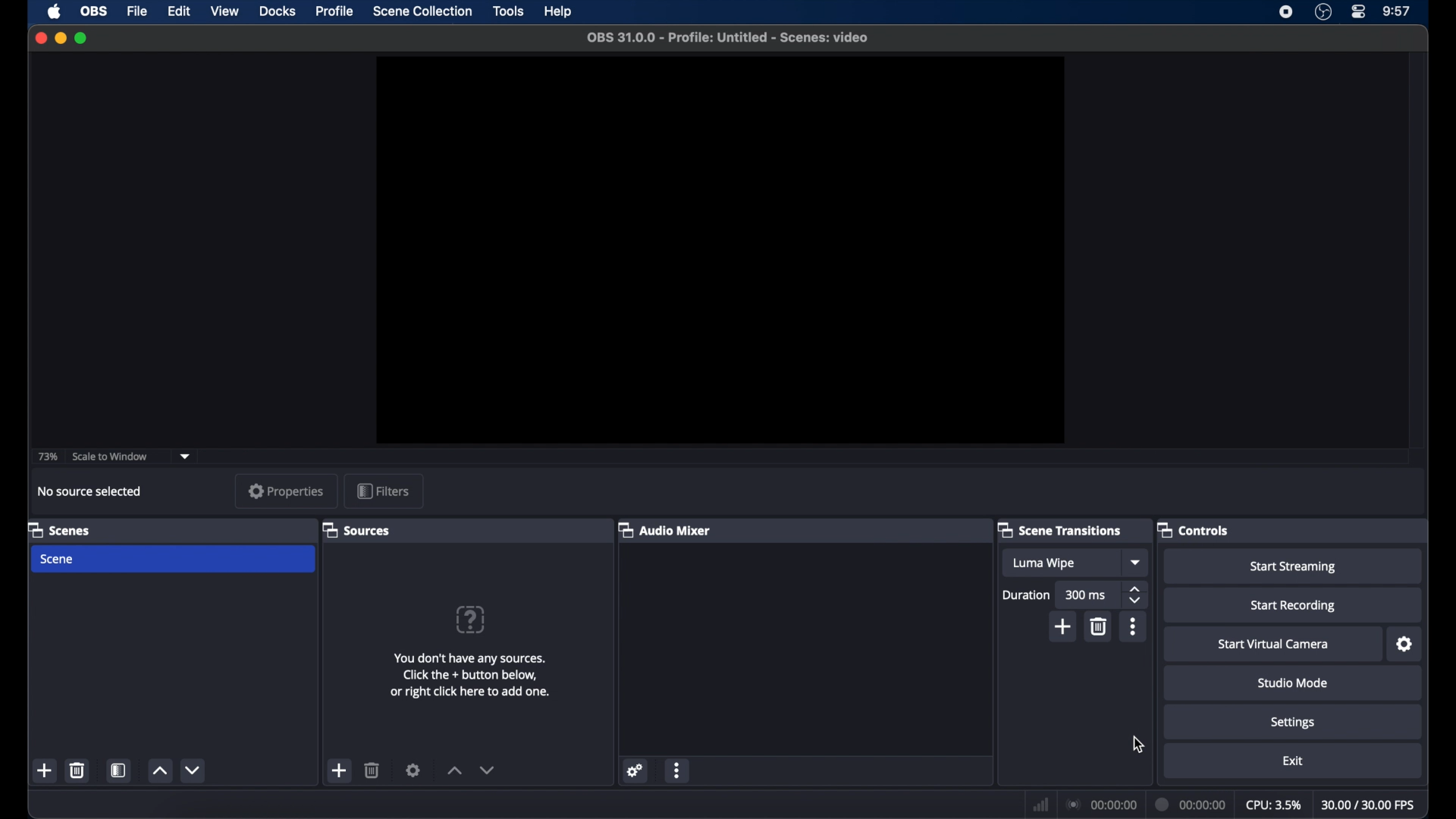 This screenshot has height=819, width=1456. Describe the element at coordinates (340, 770) in the screenshot. I see `add` at that location.